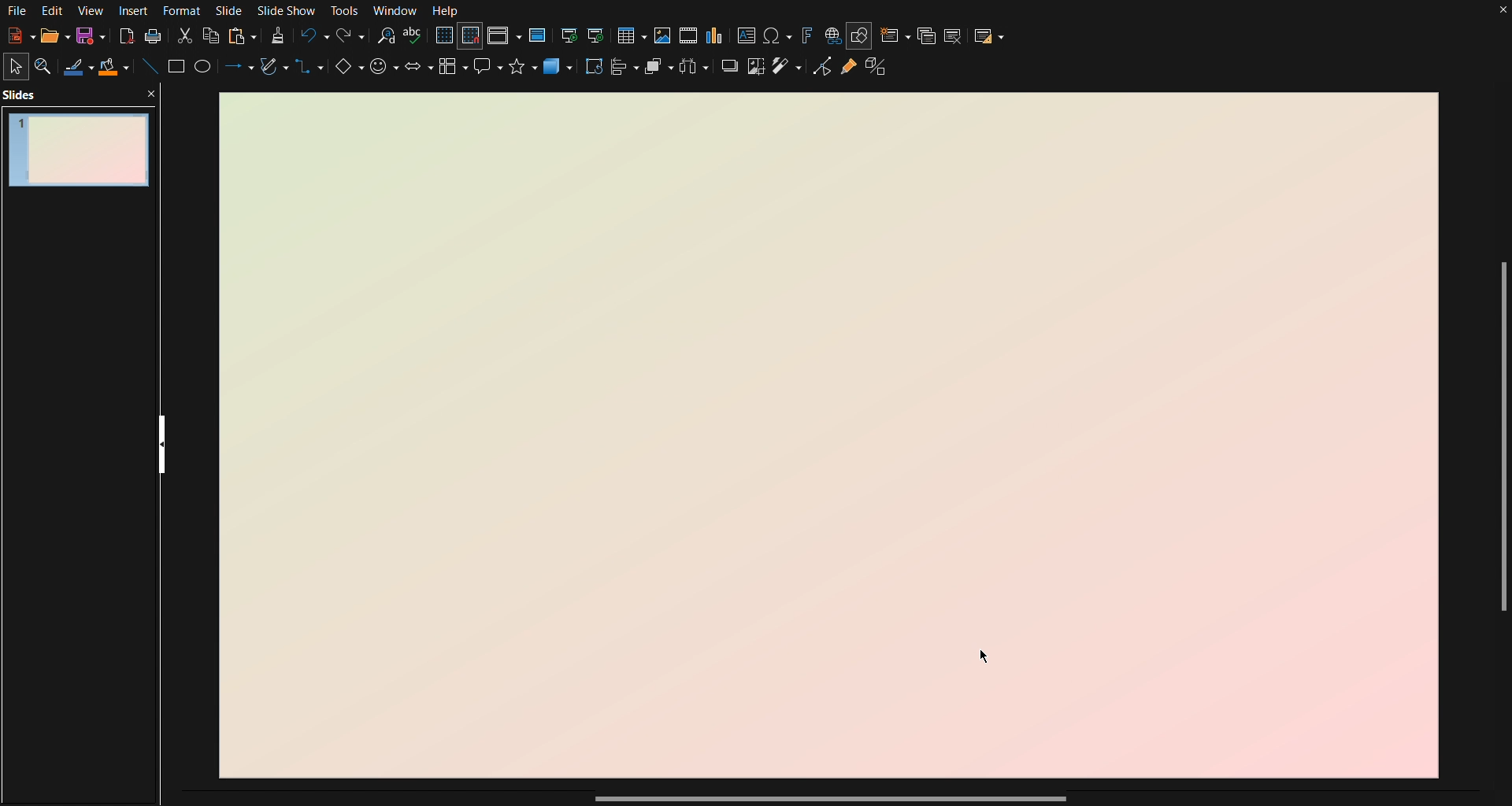  I want to click on Format, so click(186, 10).